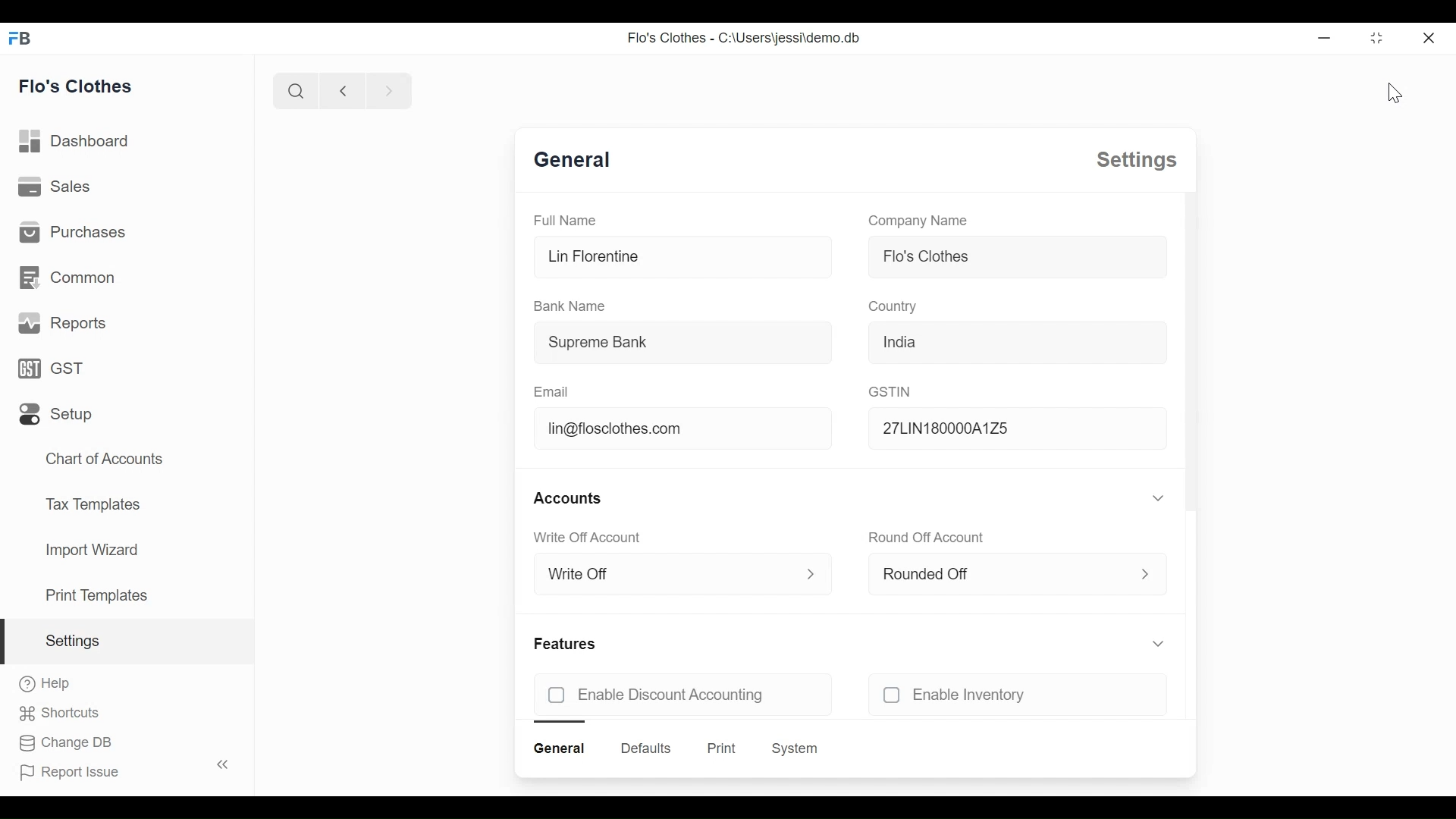  Describe the element at coordinates (895, 308) in the screenshot. I see `Country` at that location.